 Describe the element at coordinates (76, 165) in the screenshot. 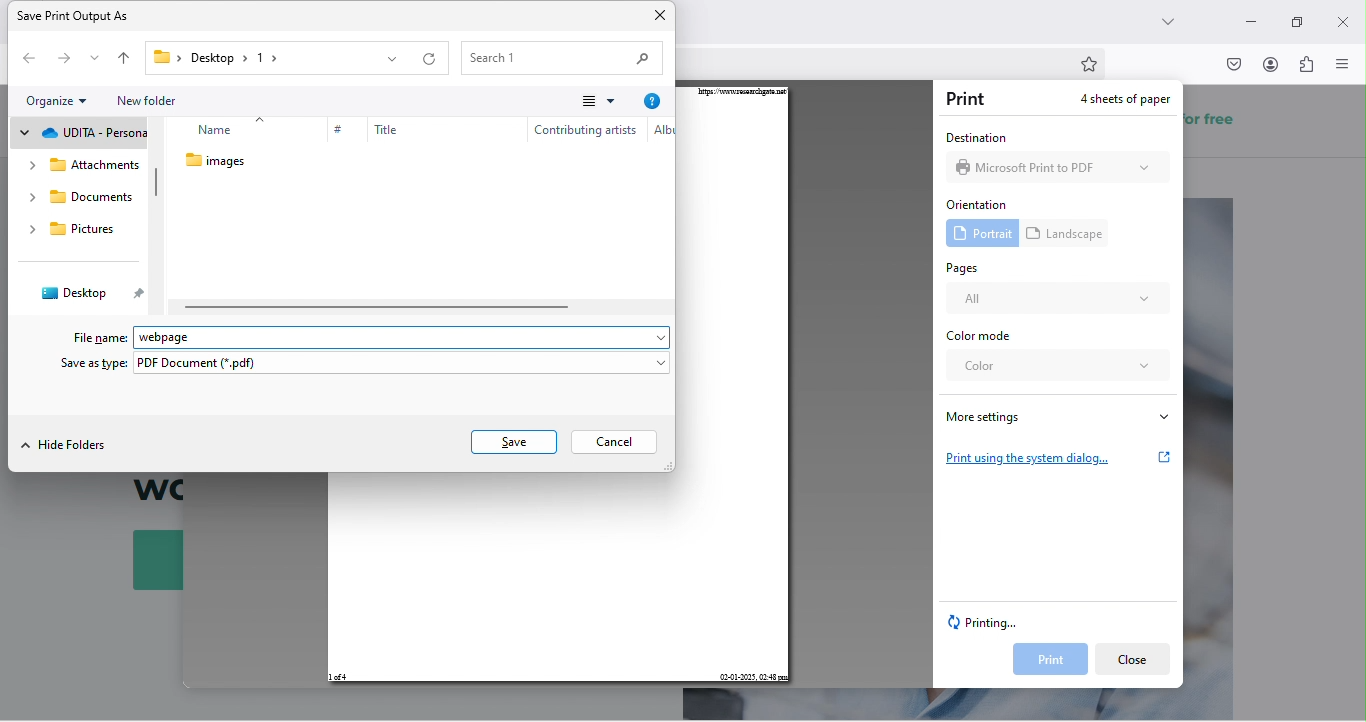

I see `udita personal` at that location.